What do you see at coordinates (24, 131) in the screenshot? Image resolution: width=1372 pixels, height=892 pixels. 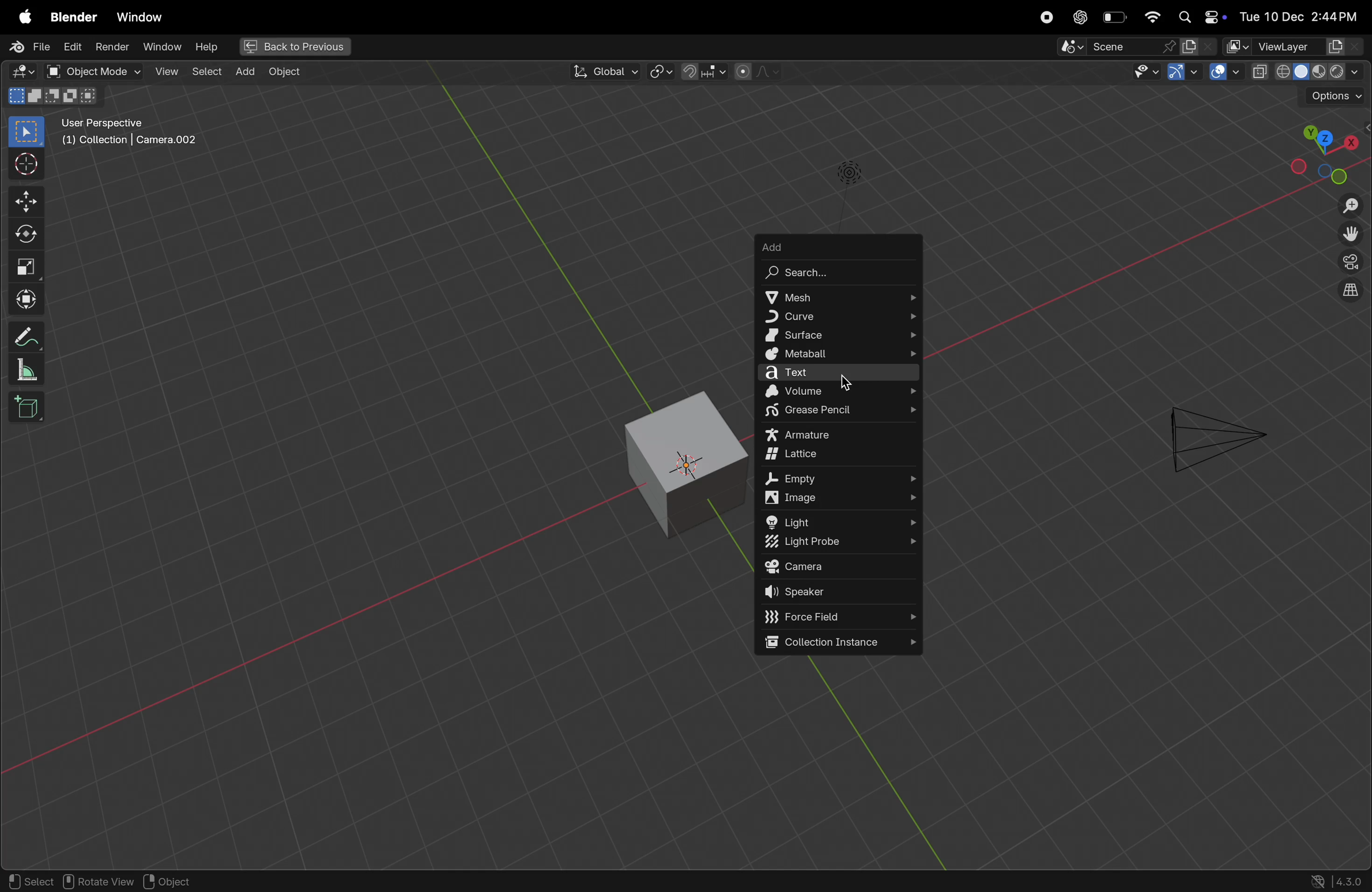 I see `select` at bounding box center [24, 131].